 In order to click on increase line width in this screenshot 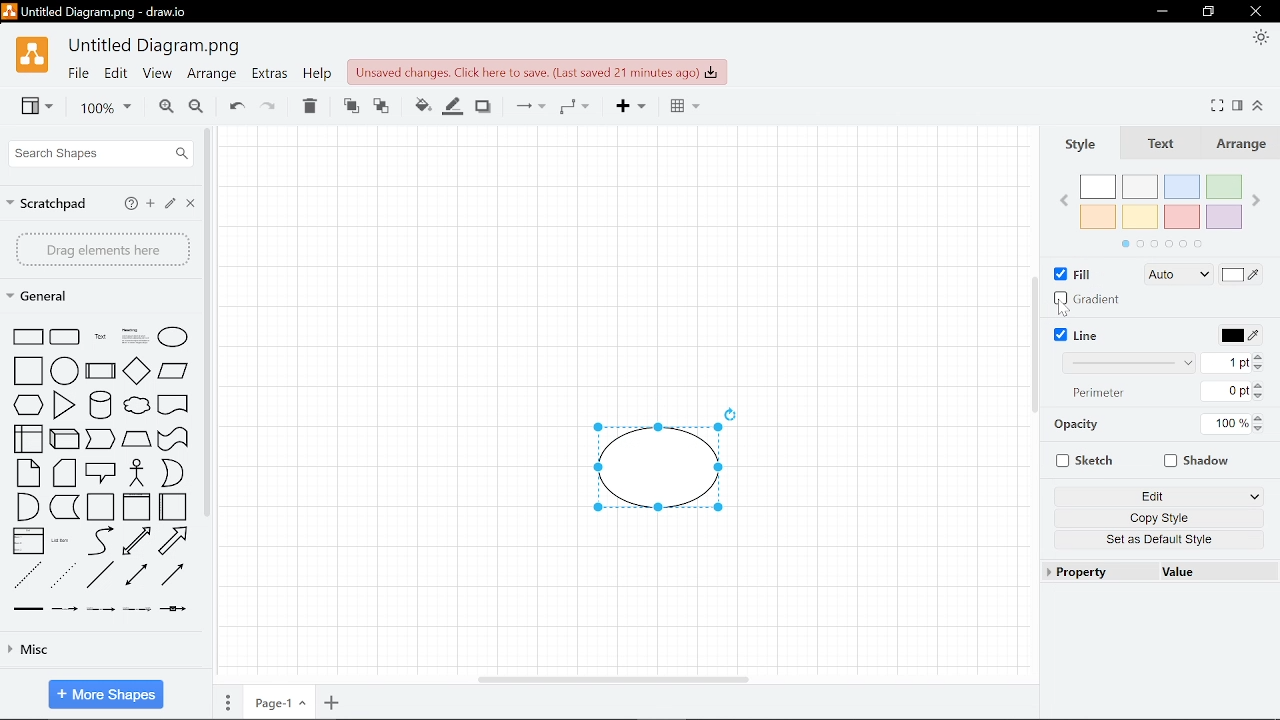, I will do `click(1260, 358)`.